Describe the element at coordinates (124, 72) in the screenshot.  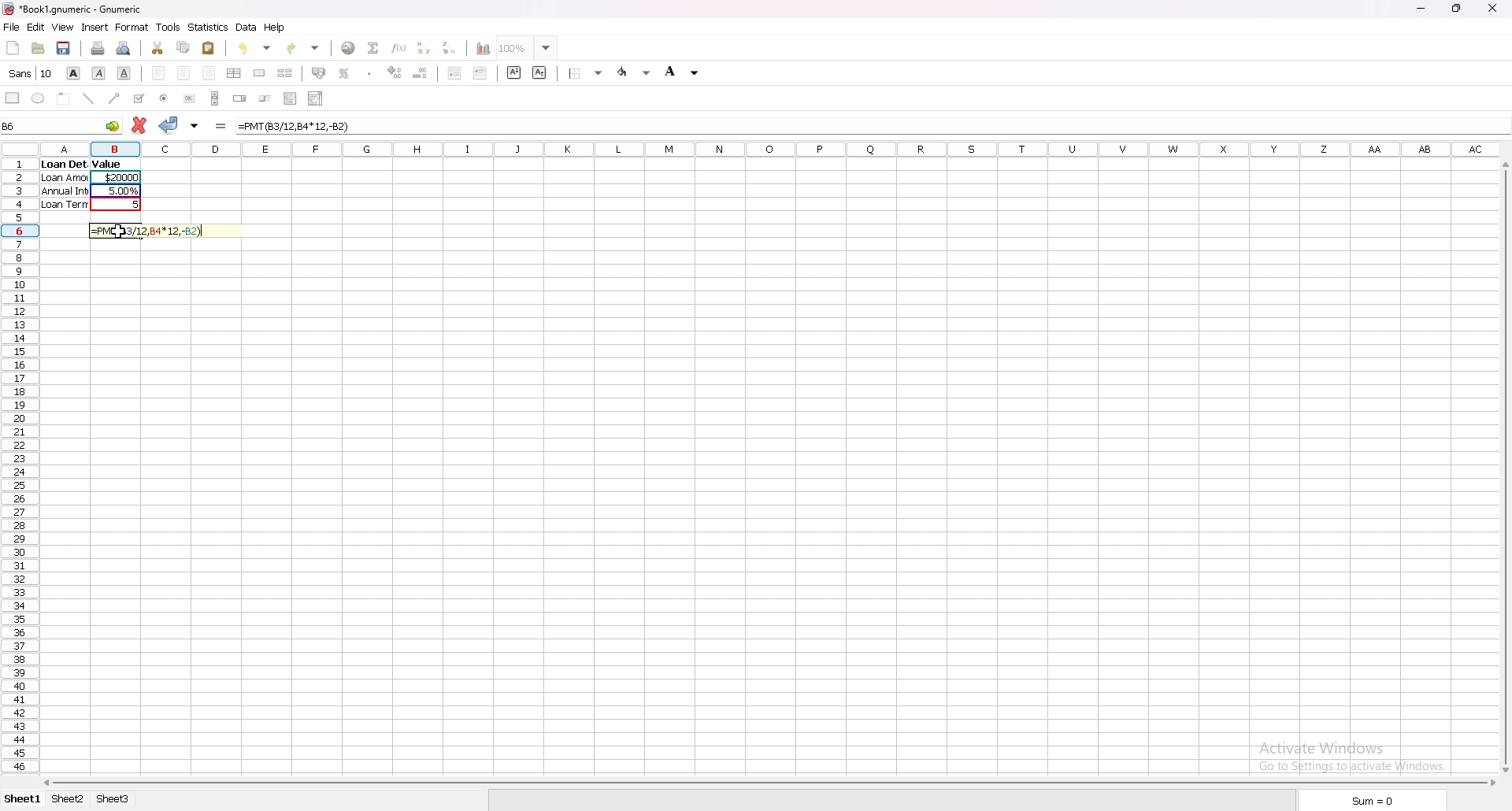
I see `underline` at that location.